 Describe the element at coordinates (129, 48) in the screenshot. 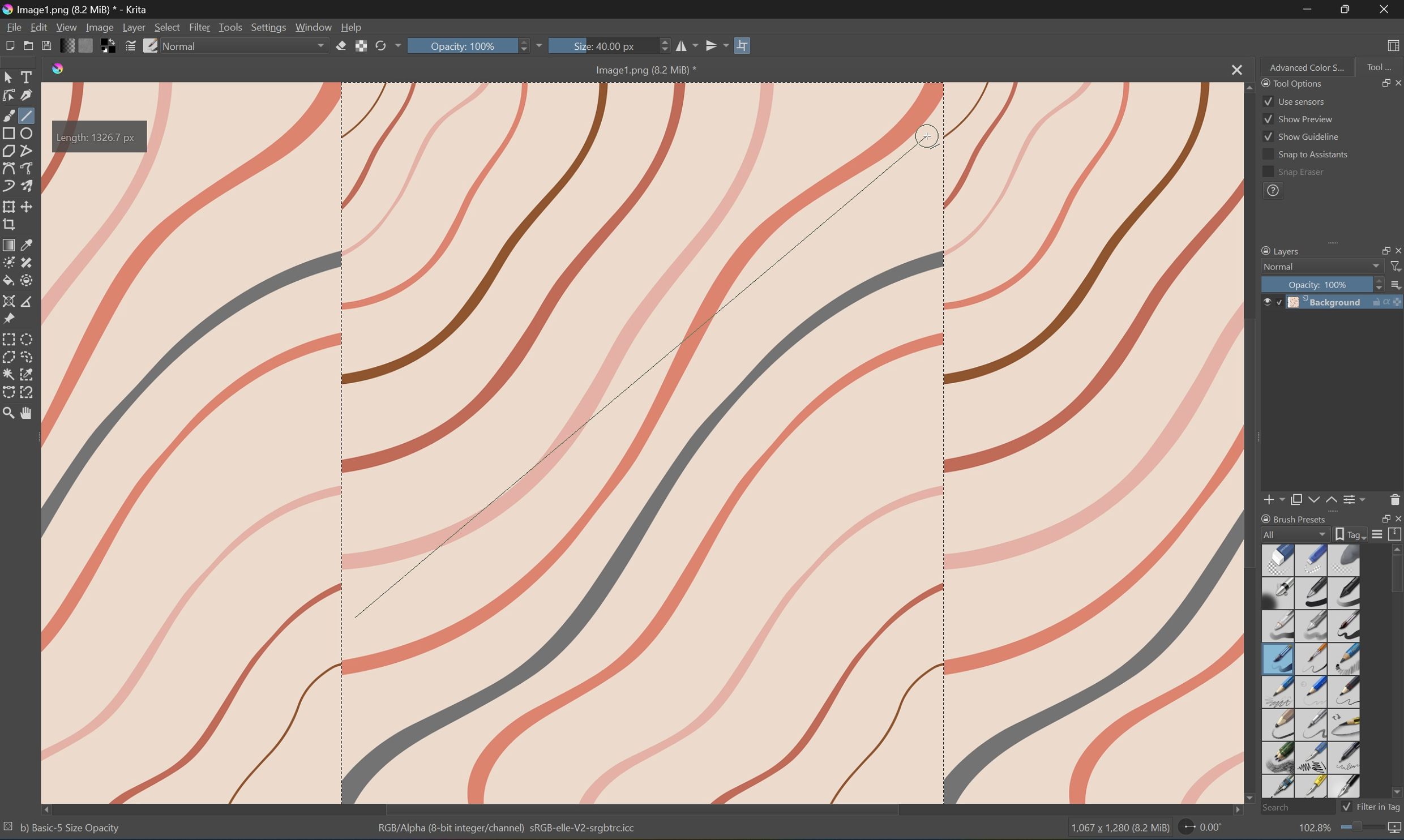

I see `Edit brush settings` at that location.